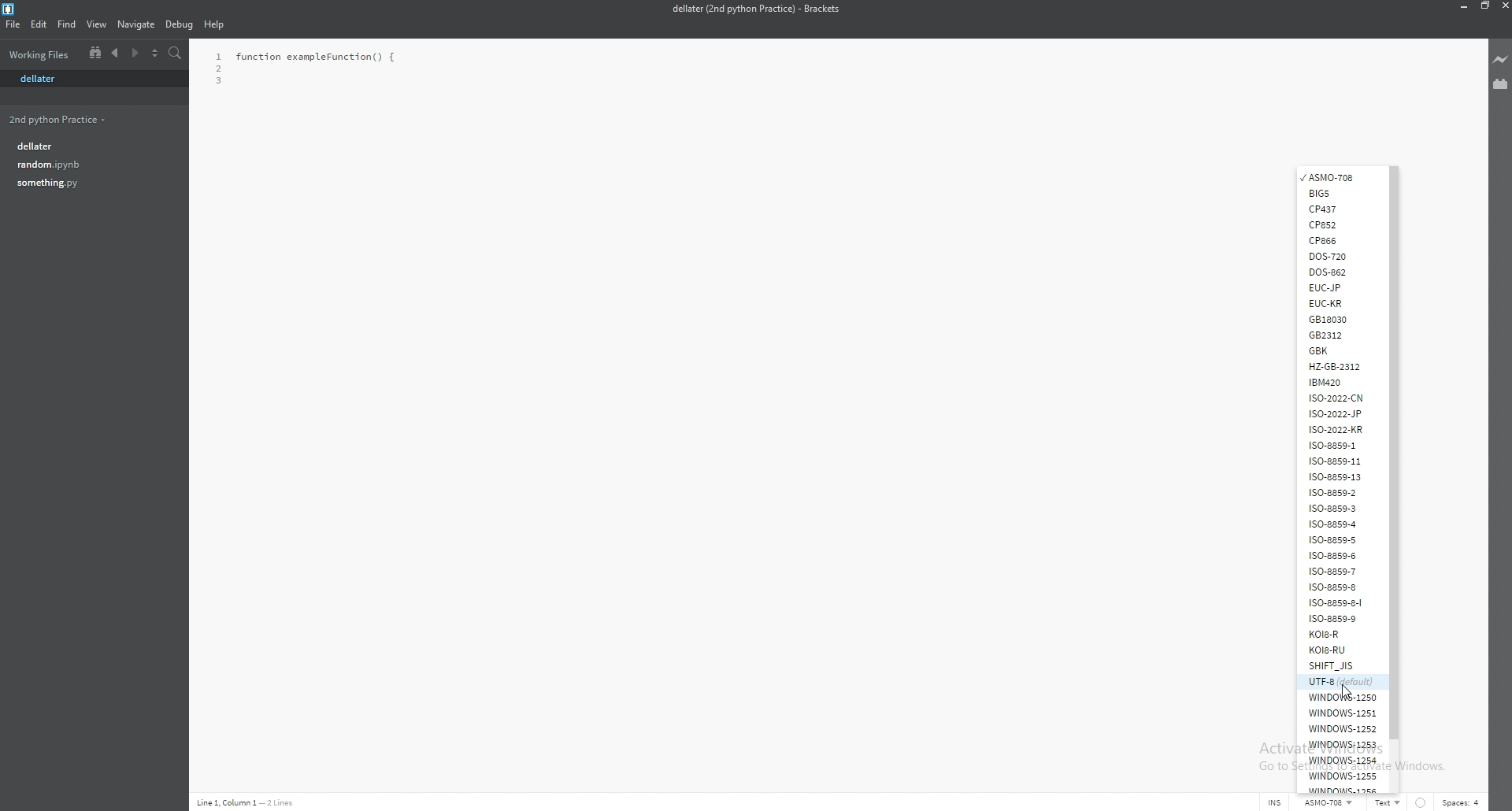  What do you see at coordinates (1340, 319) in the screenshot?
I see `gb18030` at bounding box center [1340, 319].